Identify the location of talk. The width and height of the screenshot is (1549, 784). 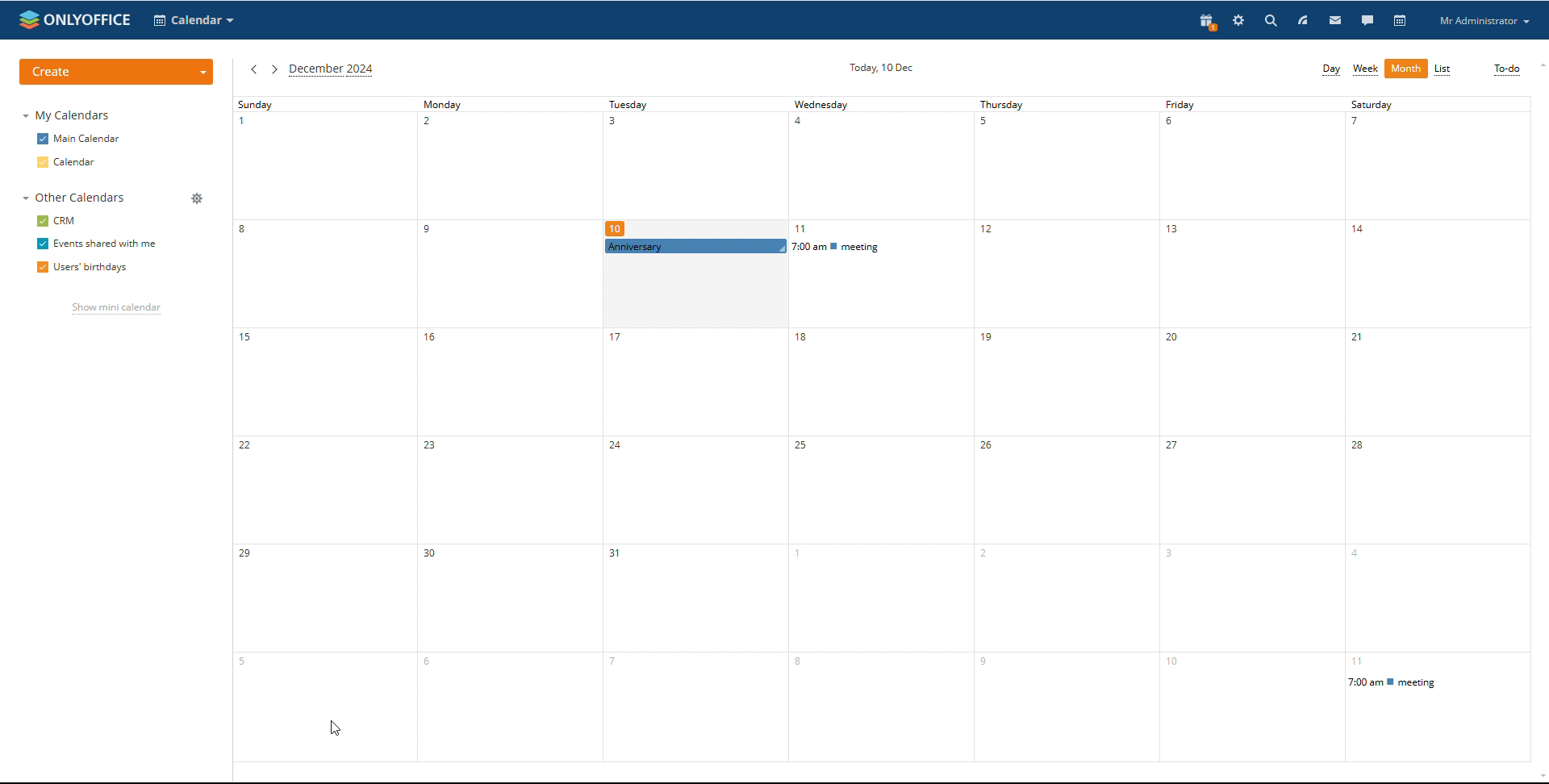
(1367, 21).